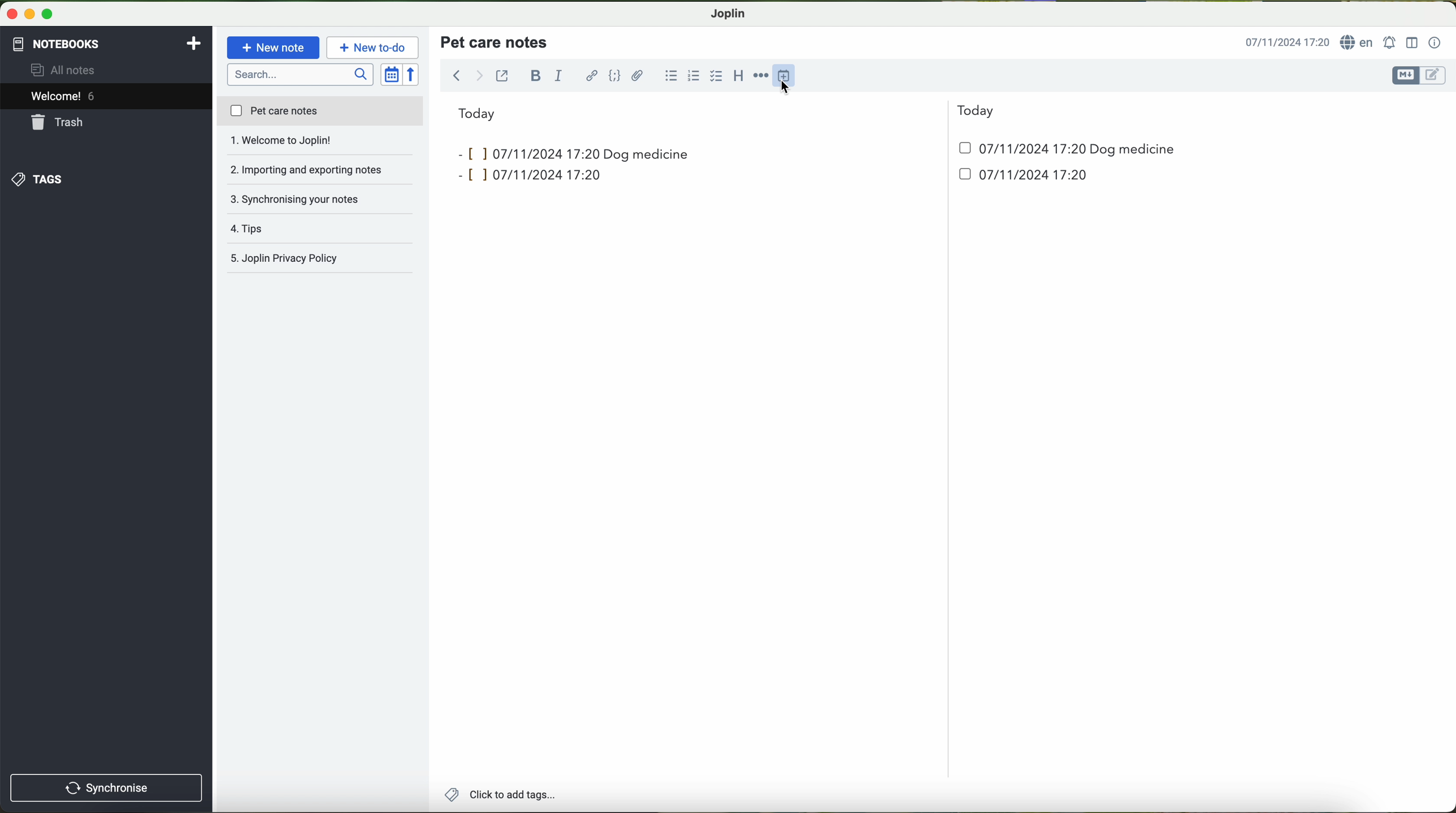  Describe the element at coordinates (194, 42) in the screenshot. I see `add` at that location.